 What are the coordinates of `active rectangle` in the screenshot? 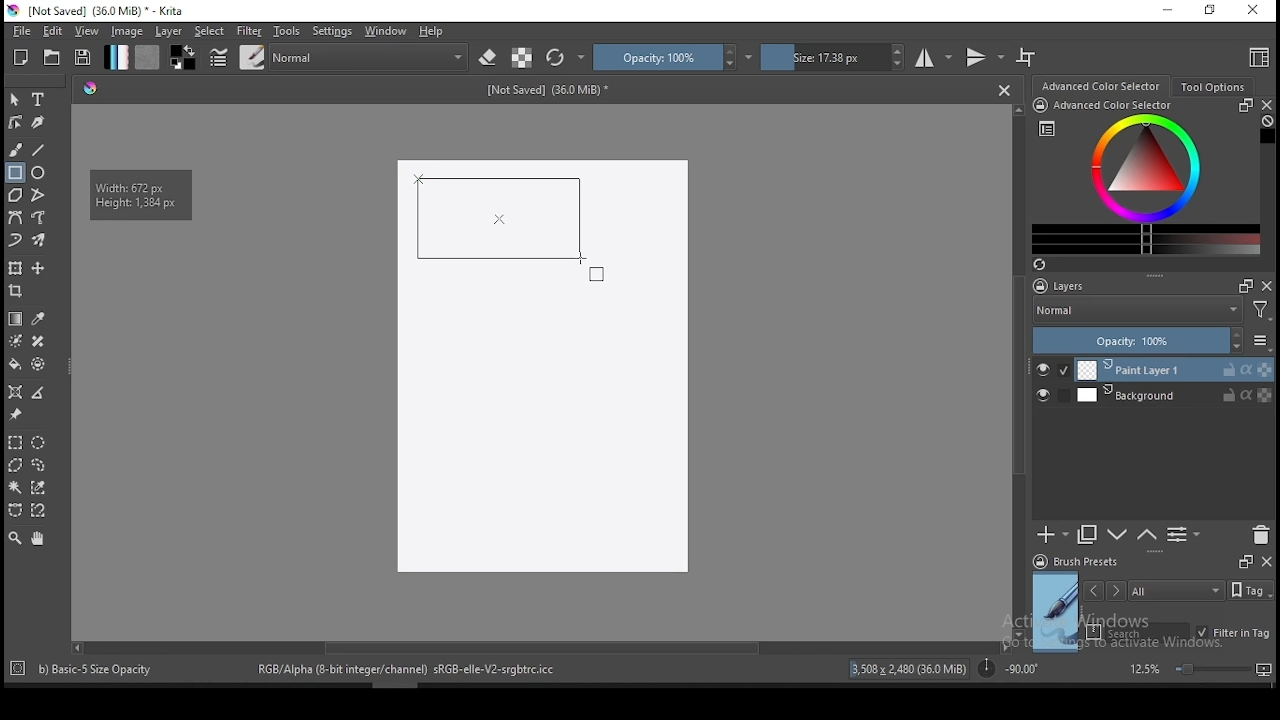 It's located at (496, 218).